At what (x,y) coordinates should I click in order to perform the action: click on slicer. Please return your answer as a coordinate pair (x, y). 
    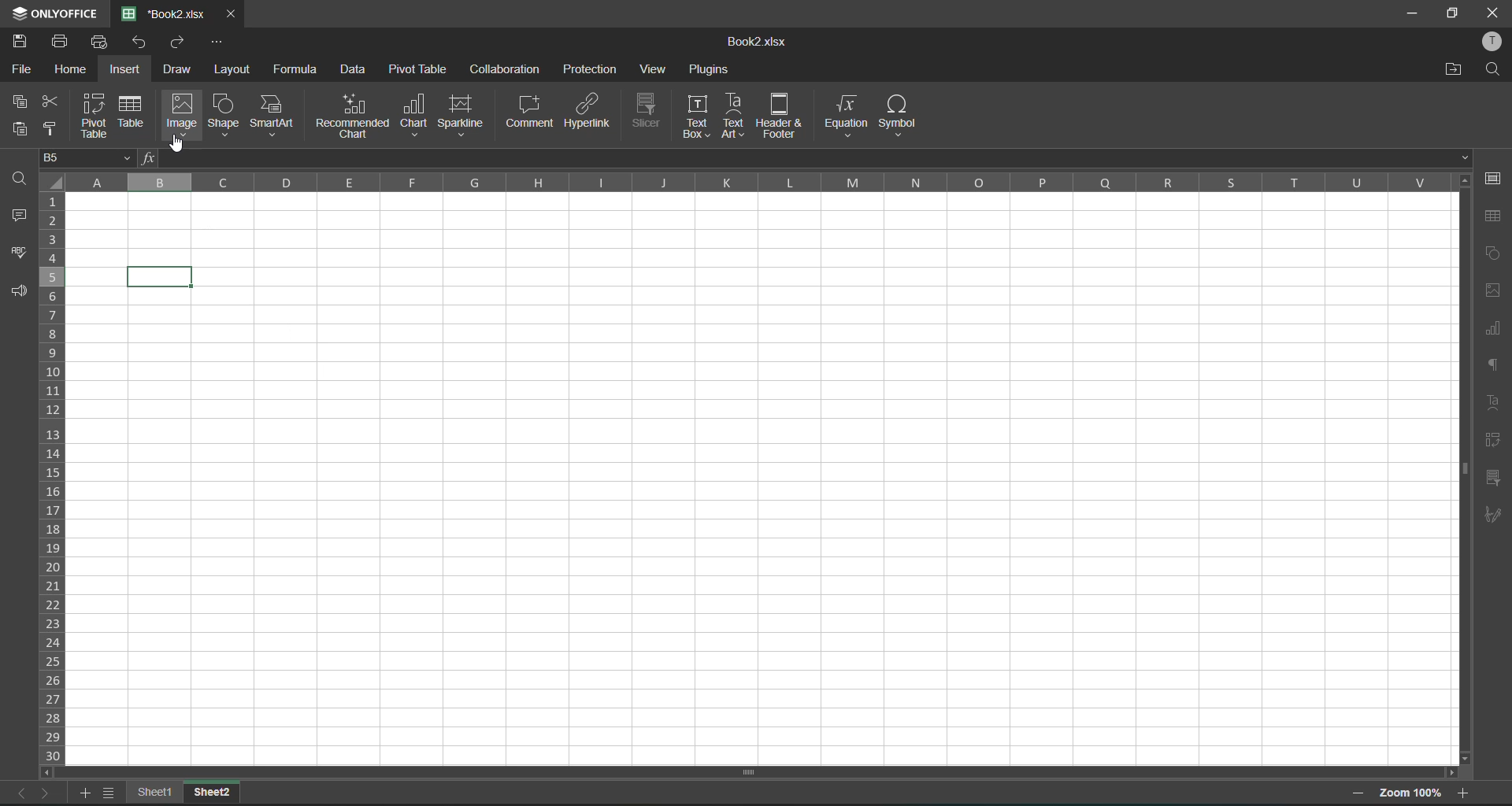
    Looking at the image, I should click on (648, 109).